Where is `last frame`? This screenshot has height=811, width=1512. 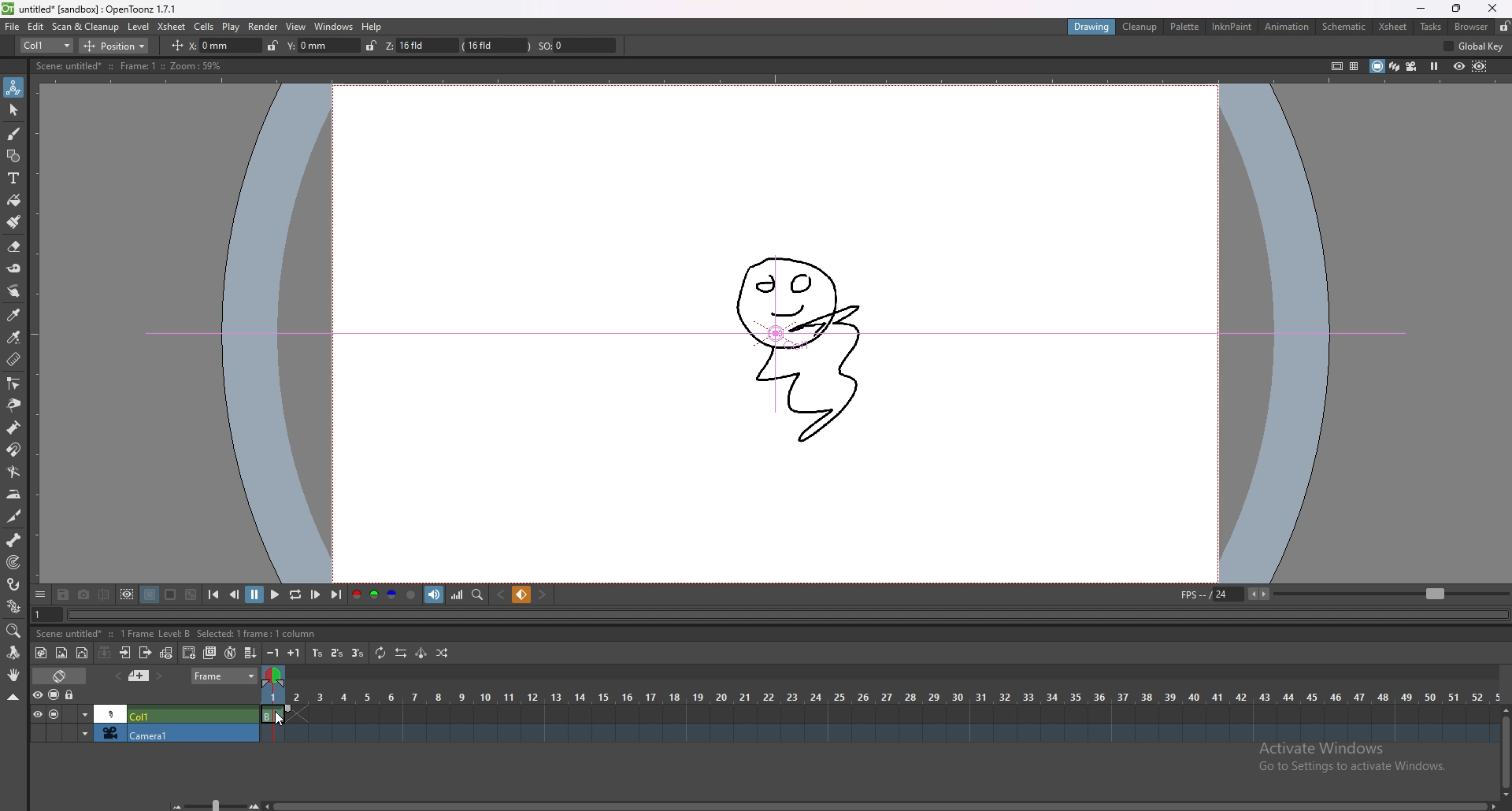 last frame is located at coordinates (335, 594).